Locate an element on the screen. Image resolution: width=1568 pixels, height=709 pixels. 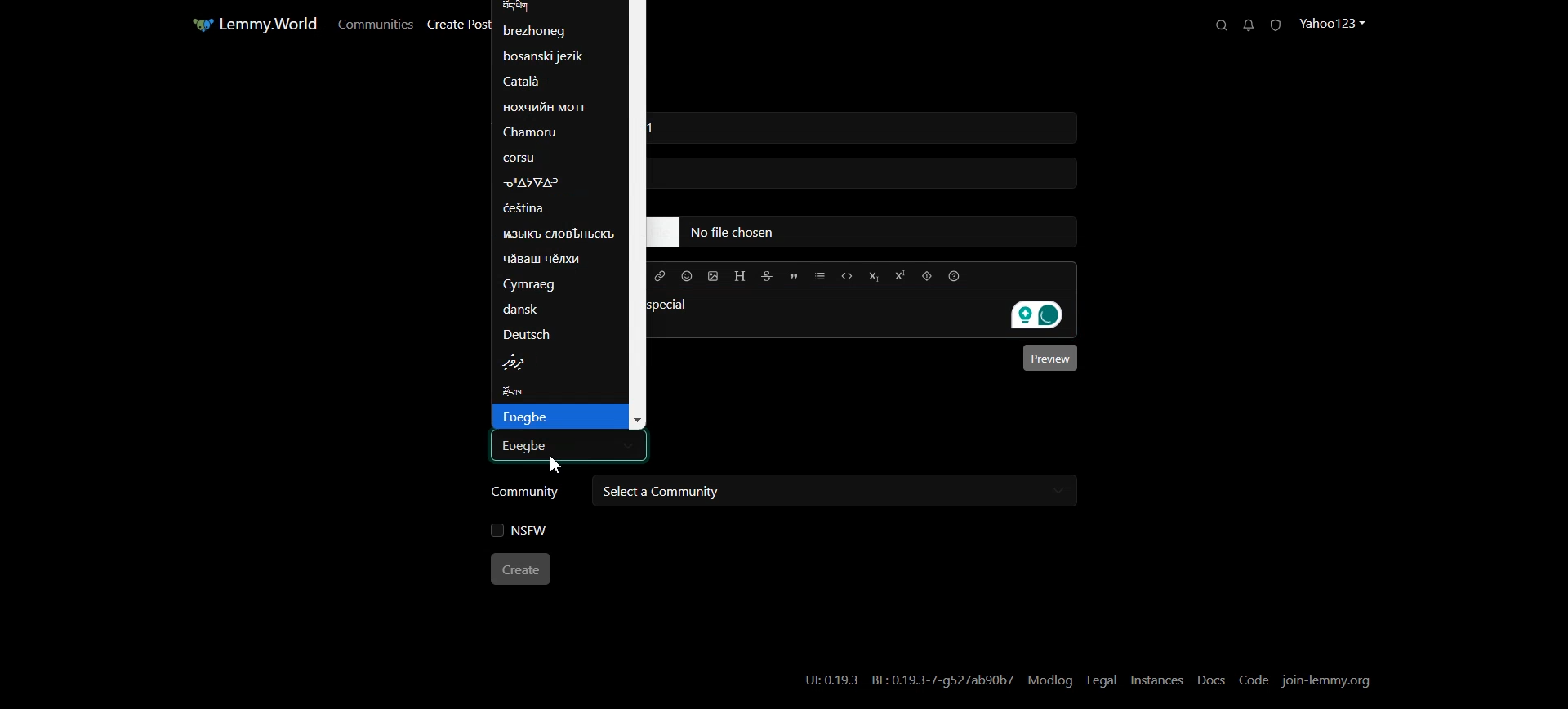
typing field is located at coordinates (869, 175).